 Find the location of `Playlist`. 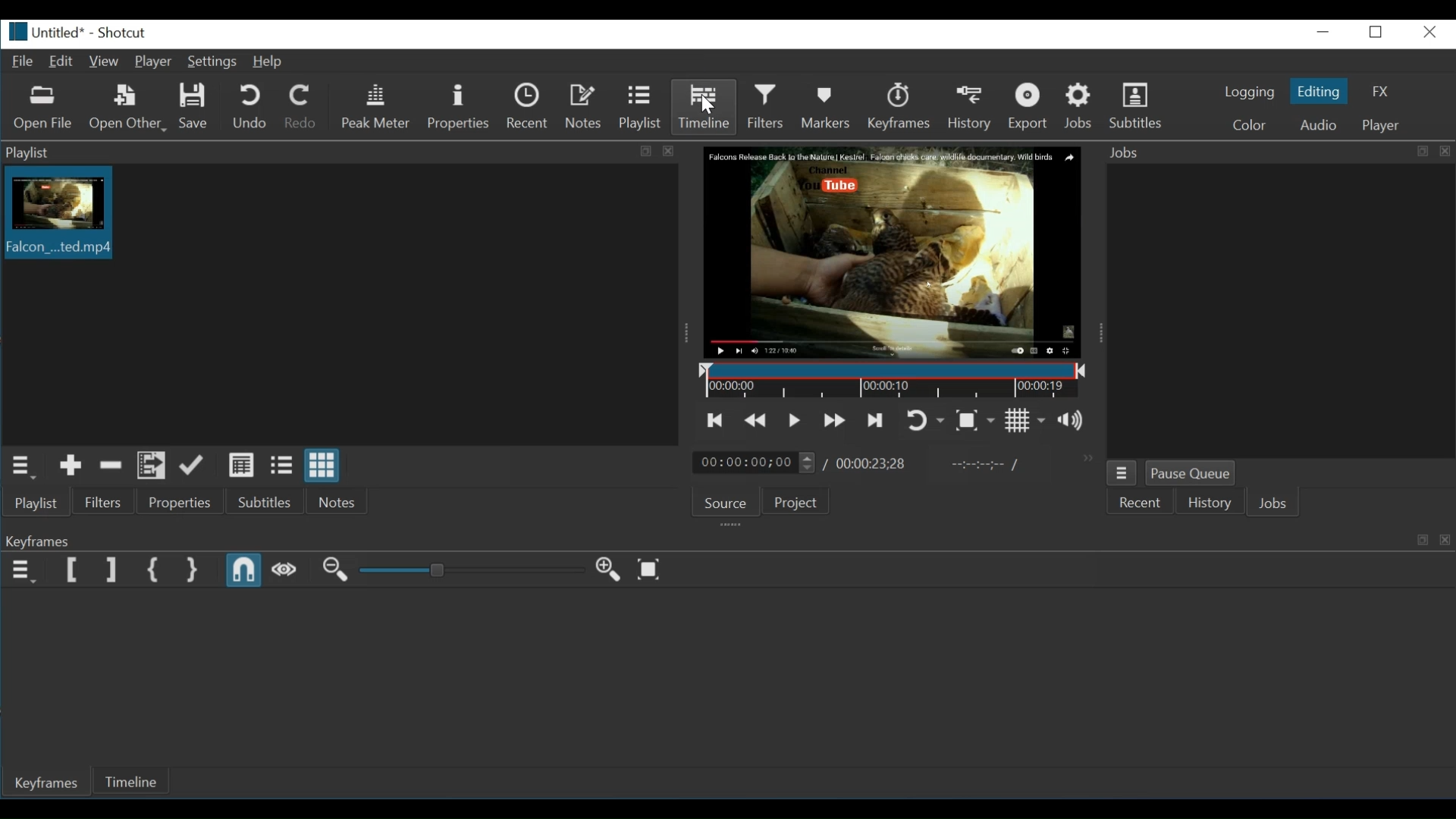

Playlist is located at coordinates (639, 106).